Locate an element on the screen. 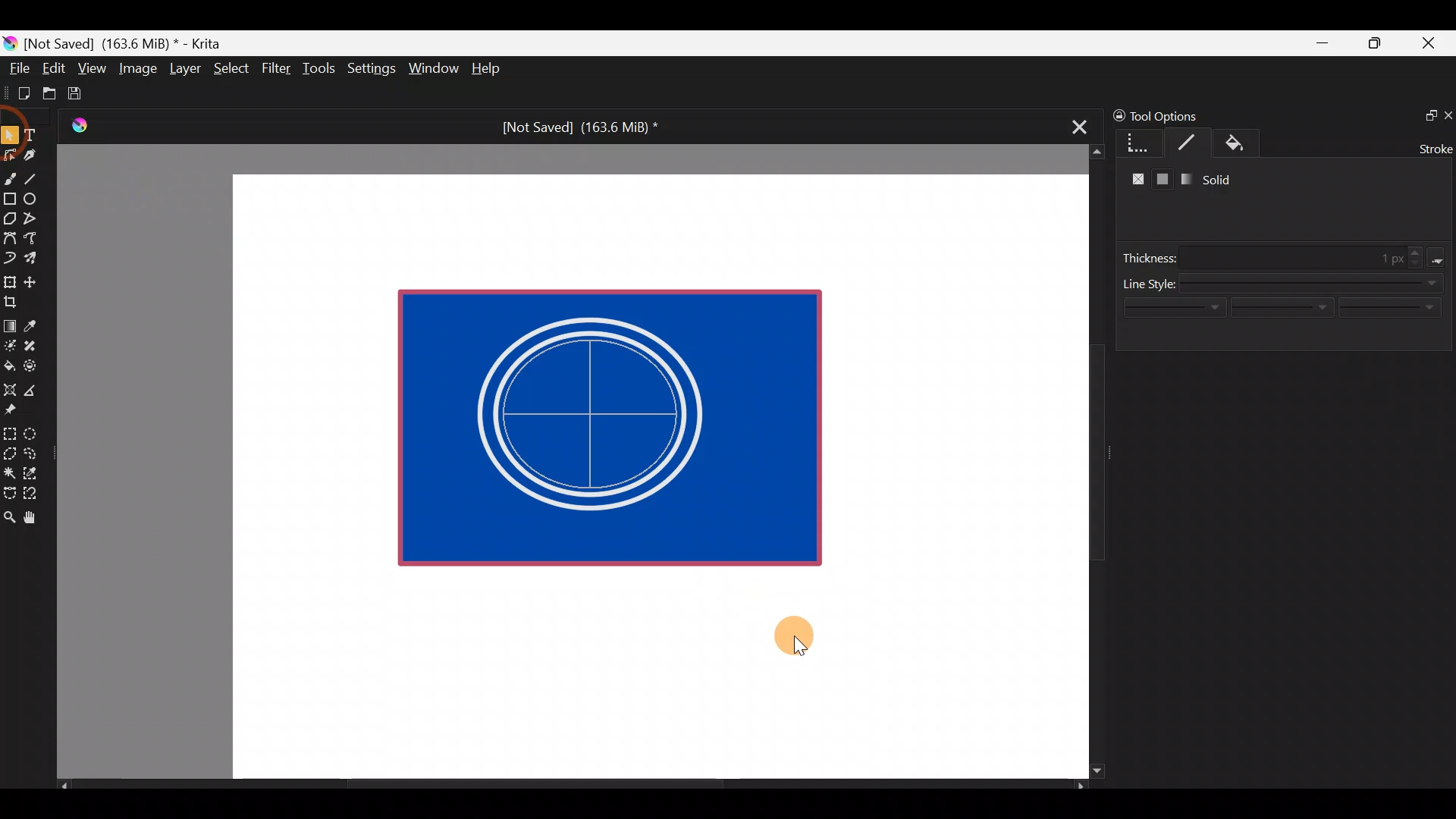 The image size is (1456, 819). Rectangle tool is located at coordinates (10, 200).